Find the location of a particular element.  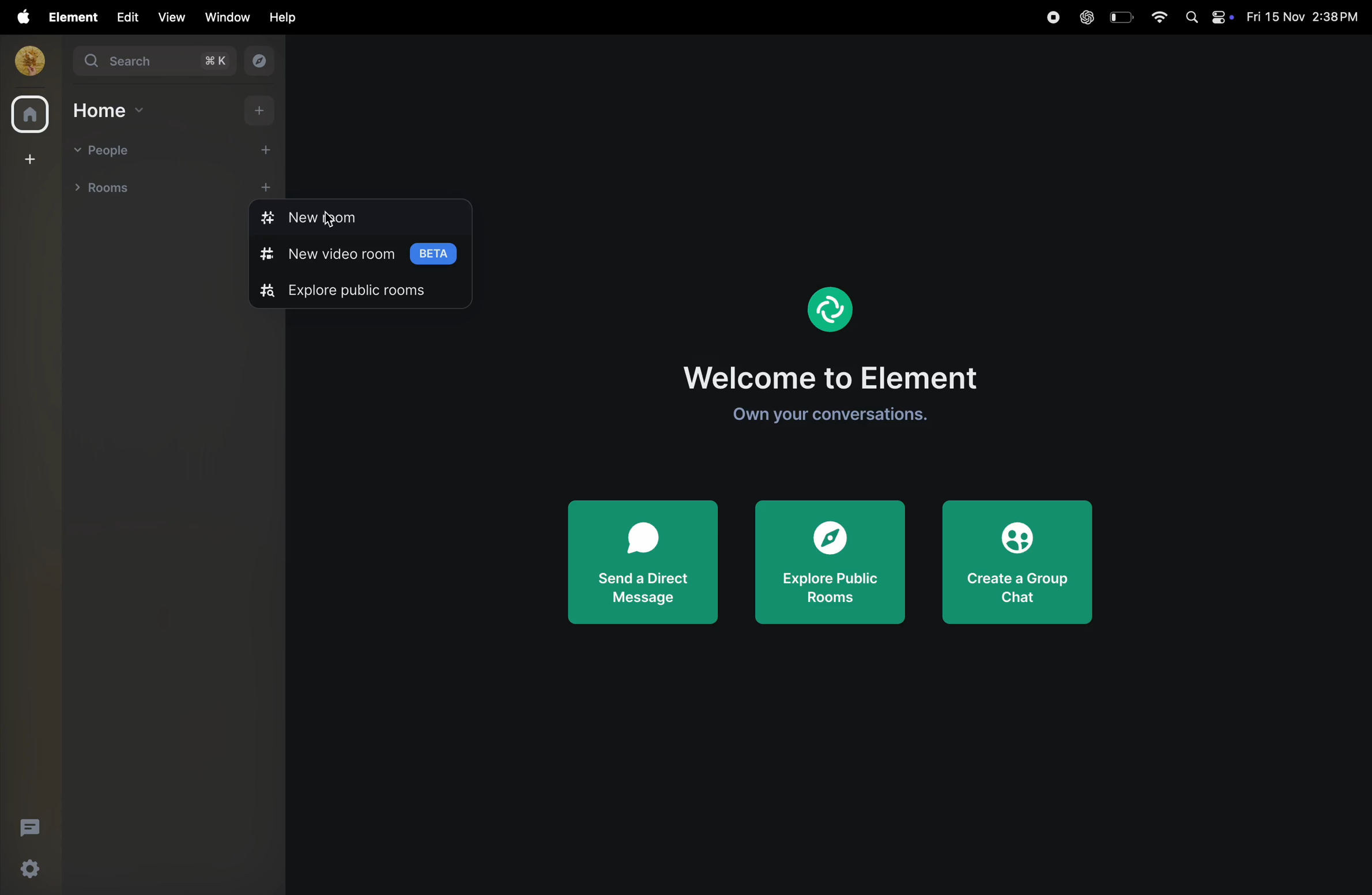

apple widgets is located at coordinates (1208, 16).